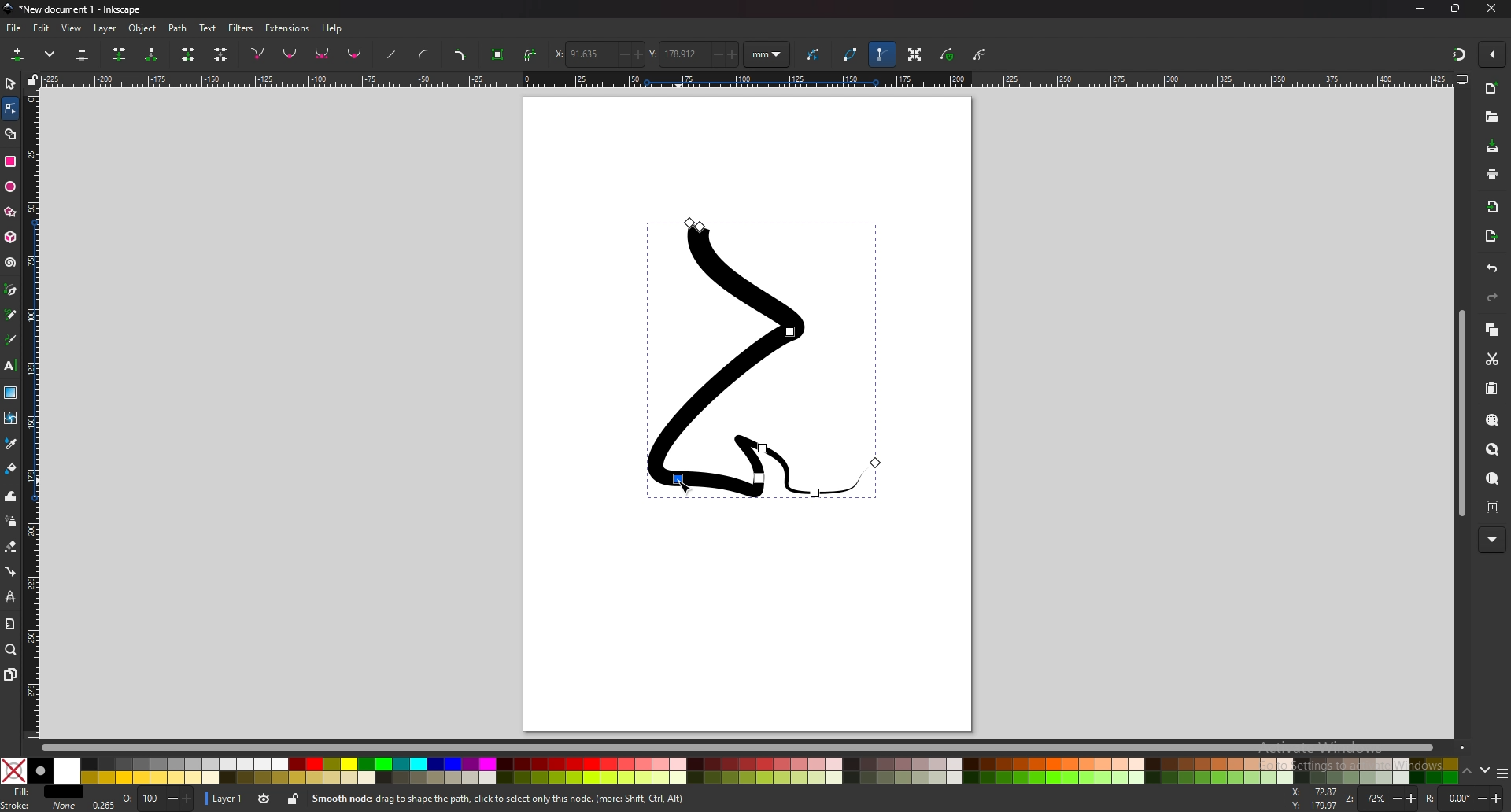 The height and width of the screenshot is (812, 1511). I want to click on erase, so click(11, 547).